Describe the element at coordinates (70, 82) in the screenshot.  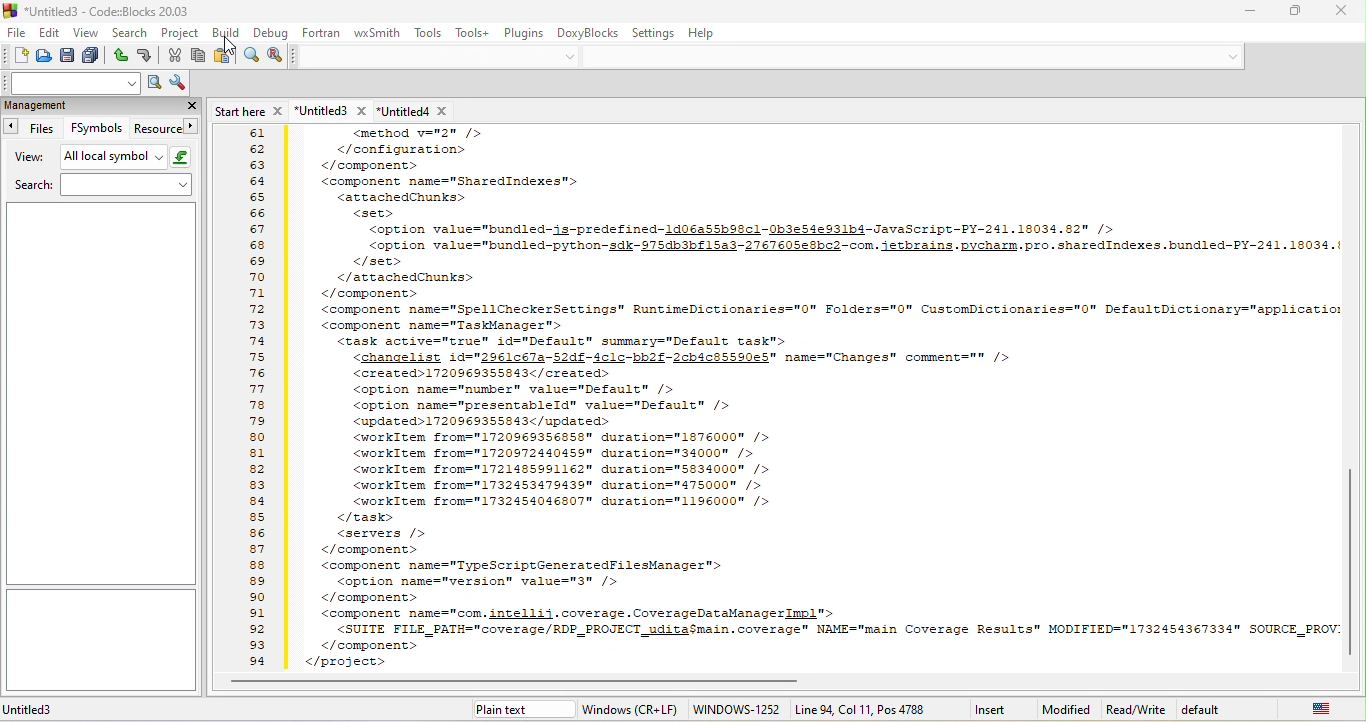
I see `text to search` at that location.